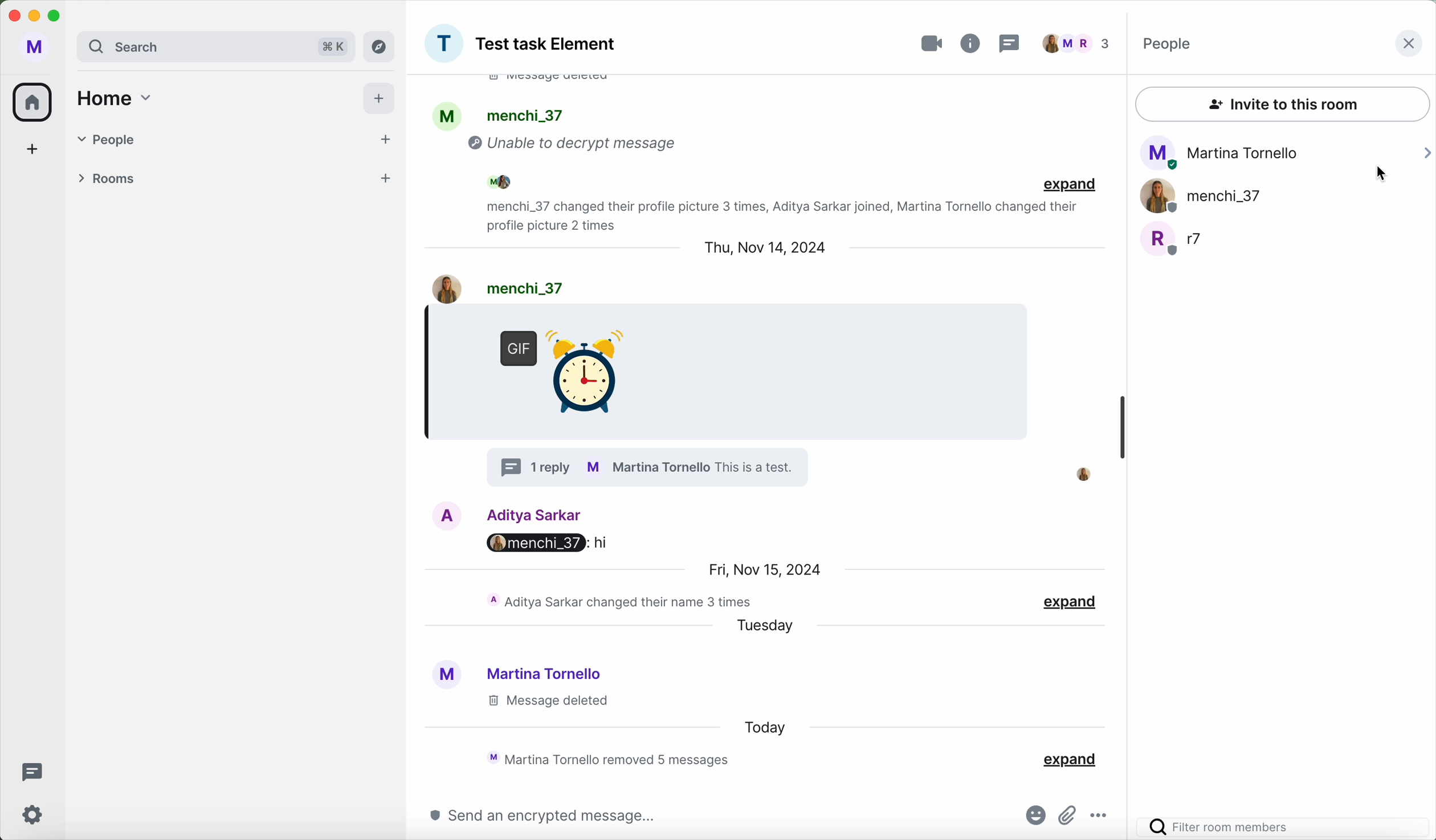 This screenshot has height=840, width=1436. What do you see at coordinates (1408, 44) in the screenshot?
I see `close button` at bounding box center [1408, 44].